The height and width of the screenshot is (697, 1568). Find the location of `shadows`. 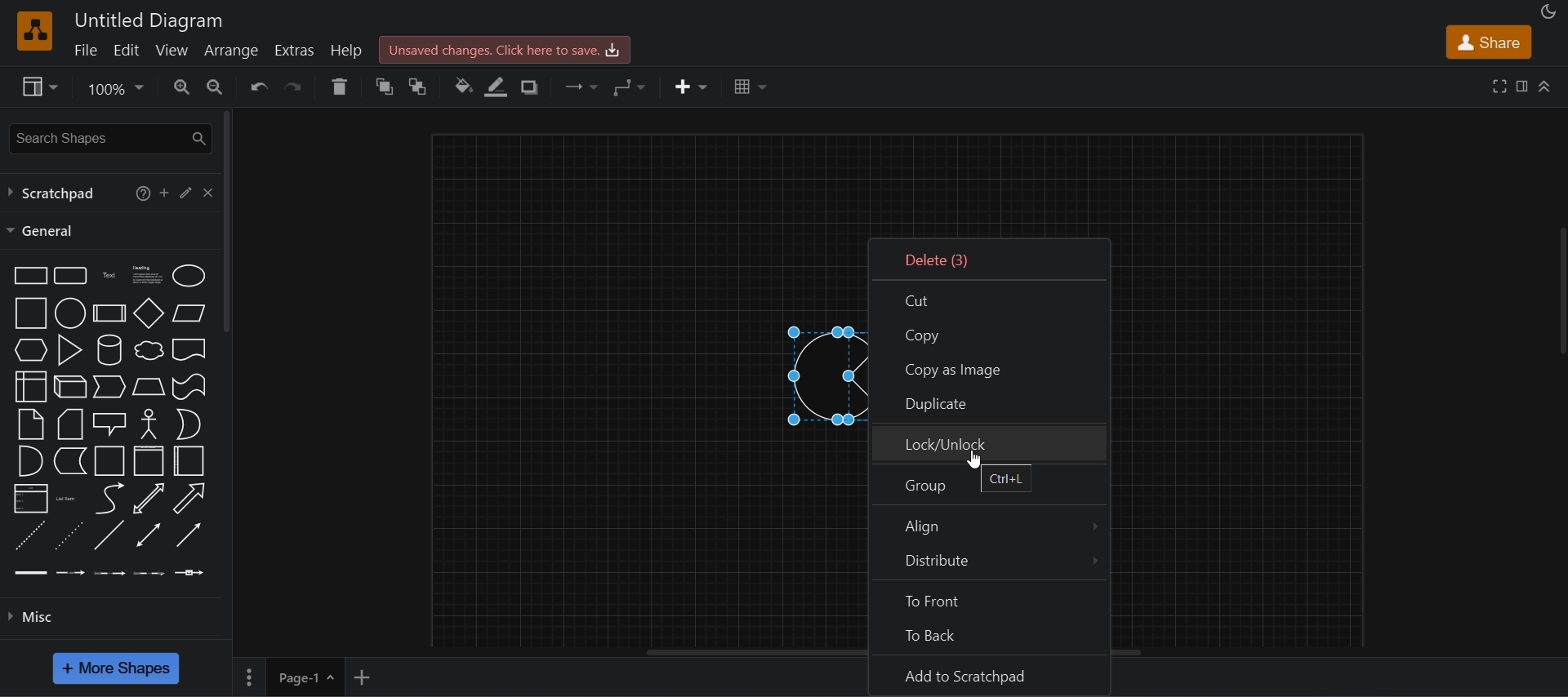

shadows is located at coordinates (528, 87).